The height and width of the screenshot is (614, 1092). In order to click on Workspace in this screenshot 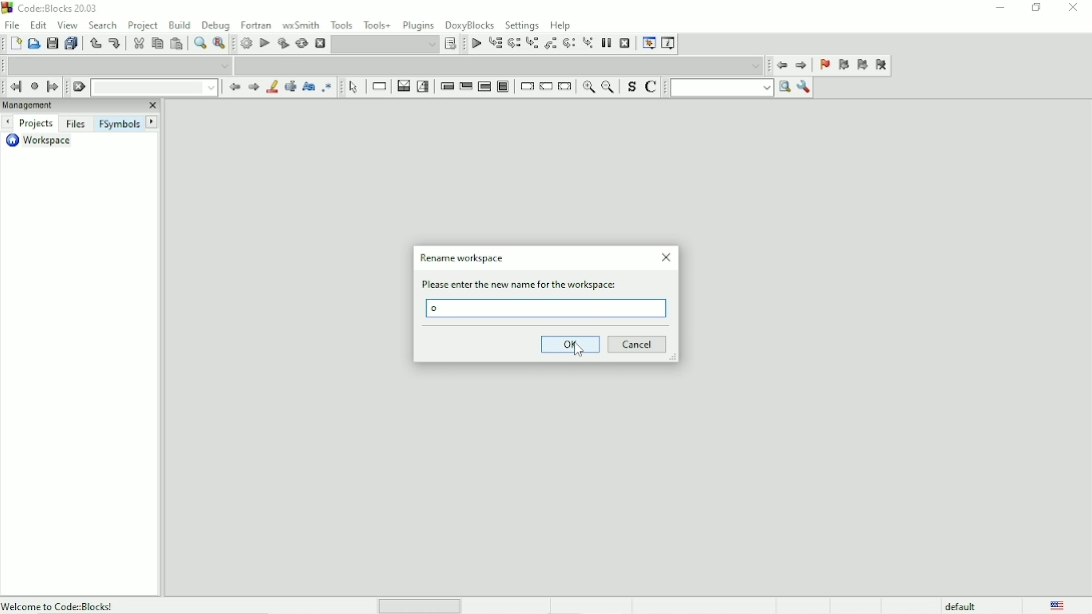, I will do `click(45, 143)`.